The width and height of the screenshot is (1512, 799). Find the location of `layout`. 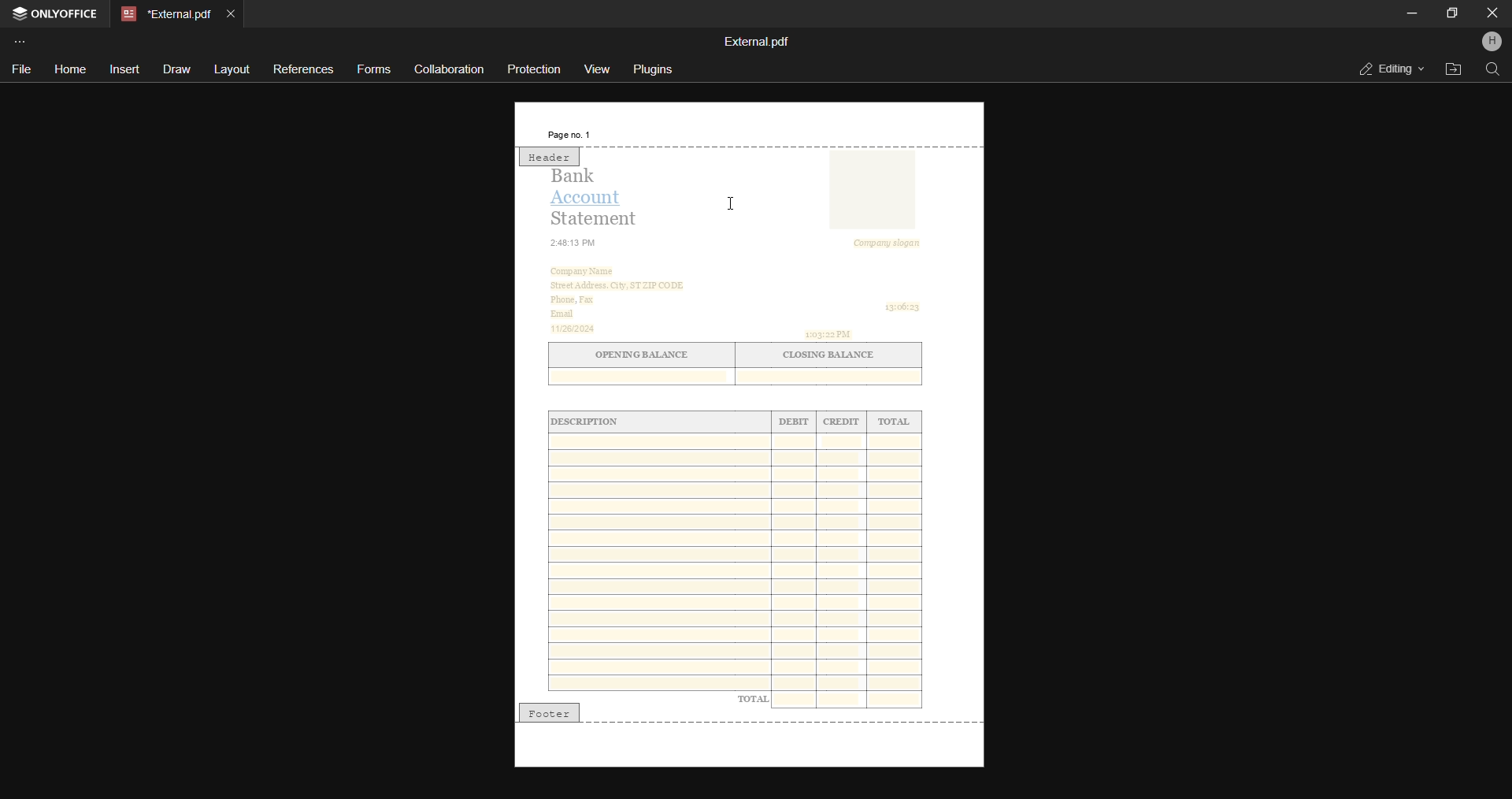

layout is located at coordinates (231, 70).